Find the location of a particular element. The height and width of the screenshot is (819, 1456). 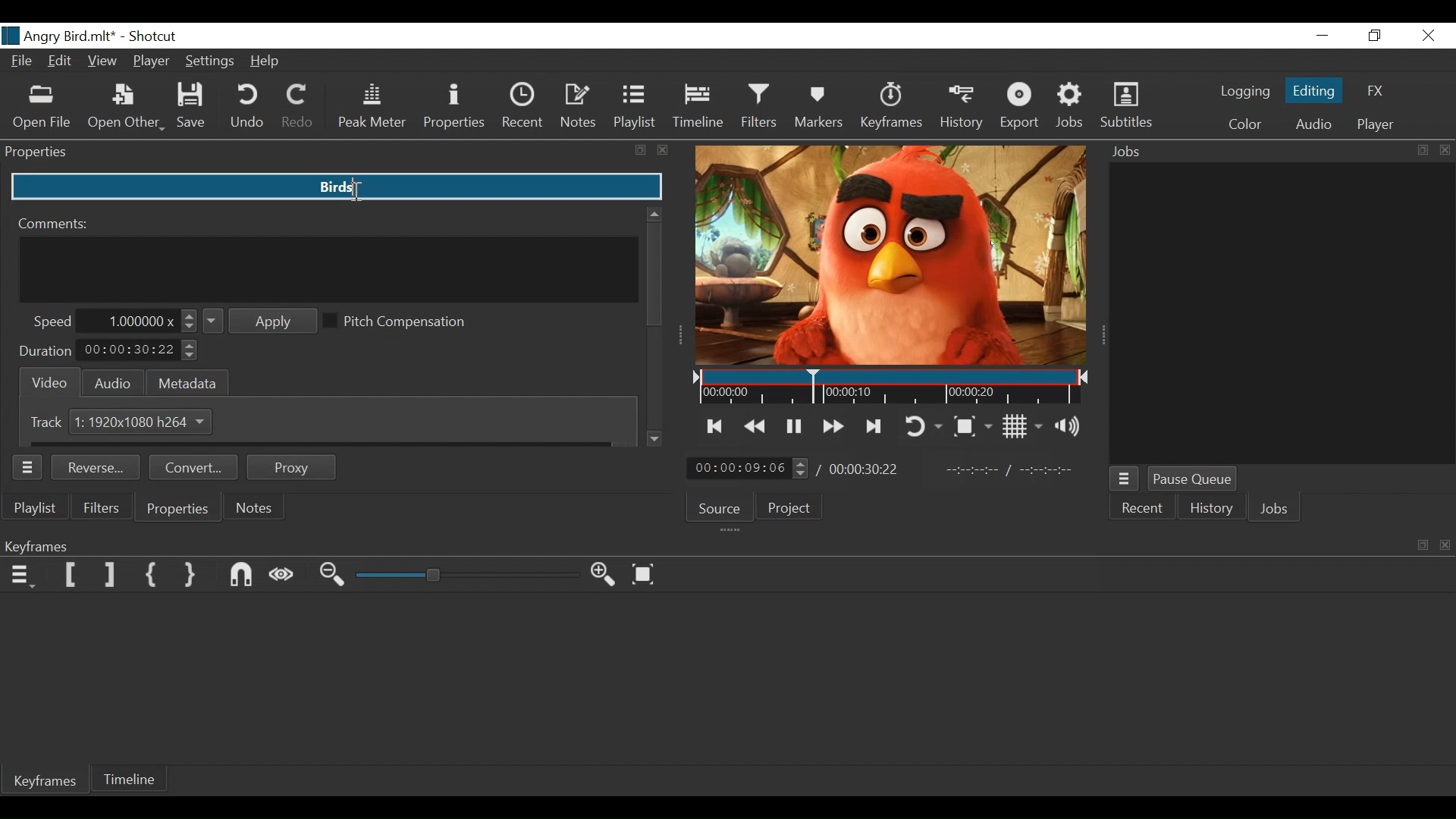

Restore is located at coordinates (1376, 35).